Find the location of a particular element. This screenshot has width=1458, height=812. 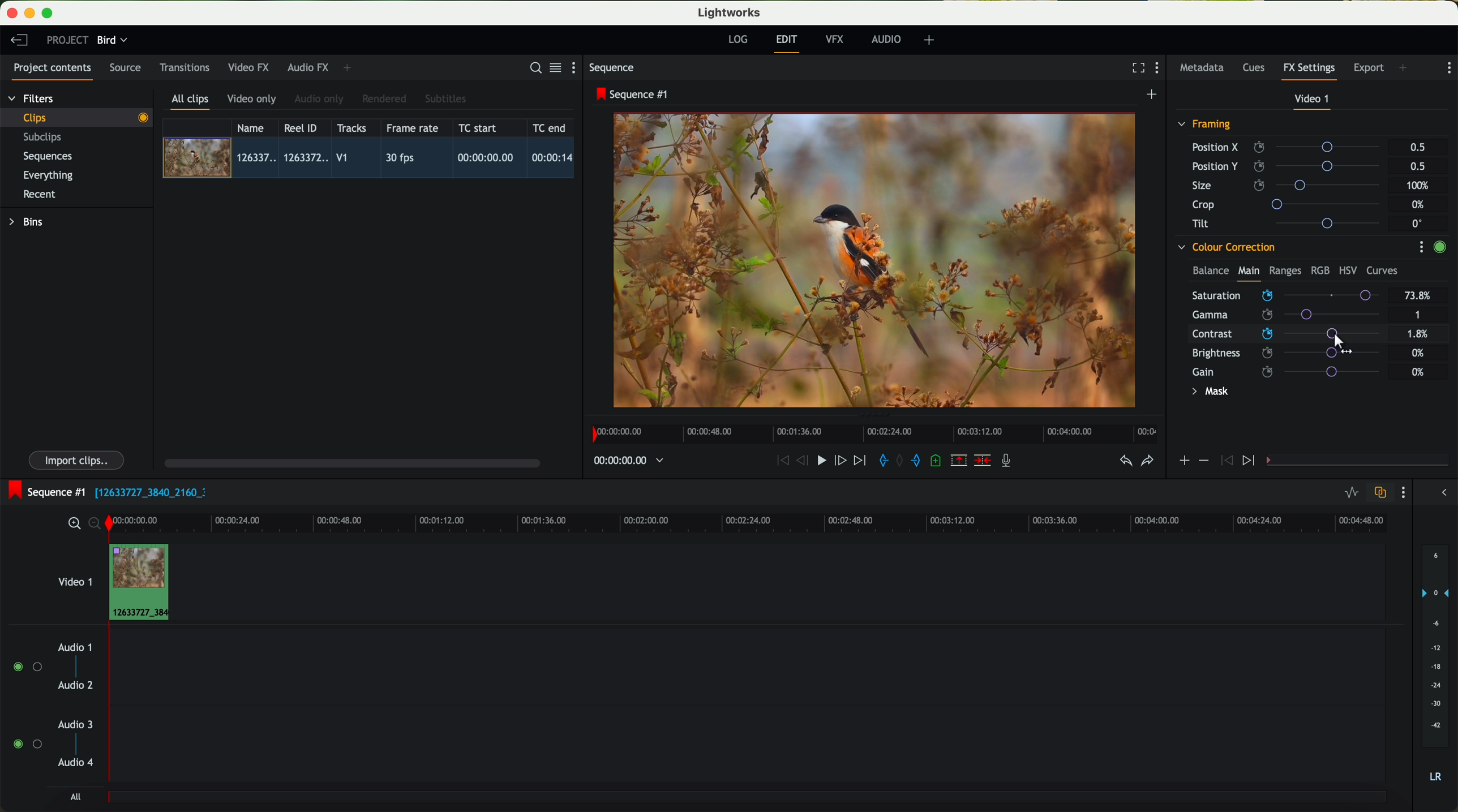

icon is located at coordinates (1203, 461).